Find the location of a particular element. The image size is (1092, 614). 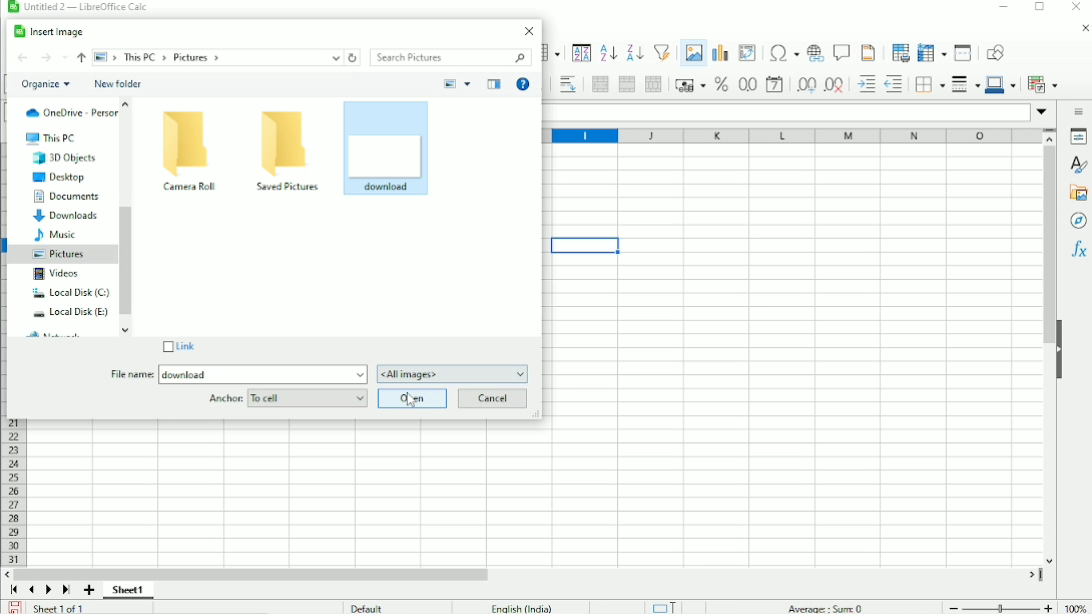

Close is located at coordinates (530, 31).